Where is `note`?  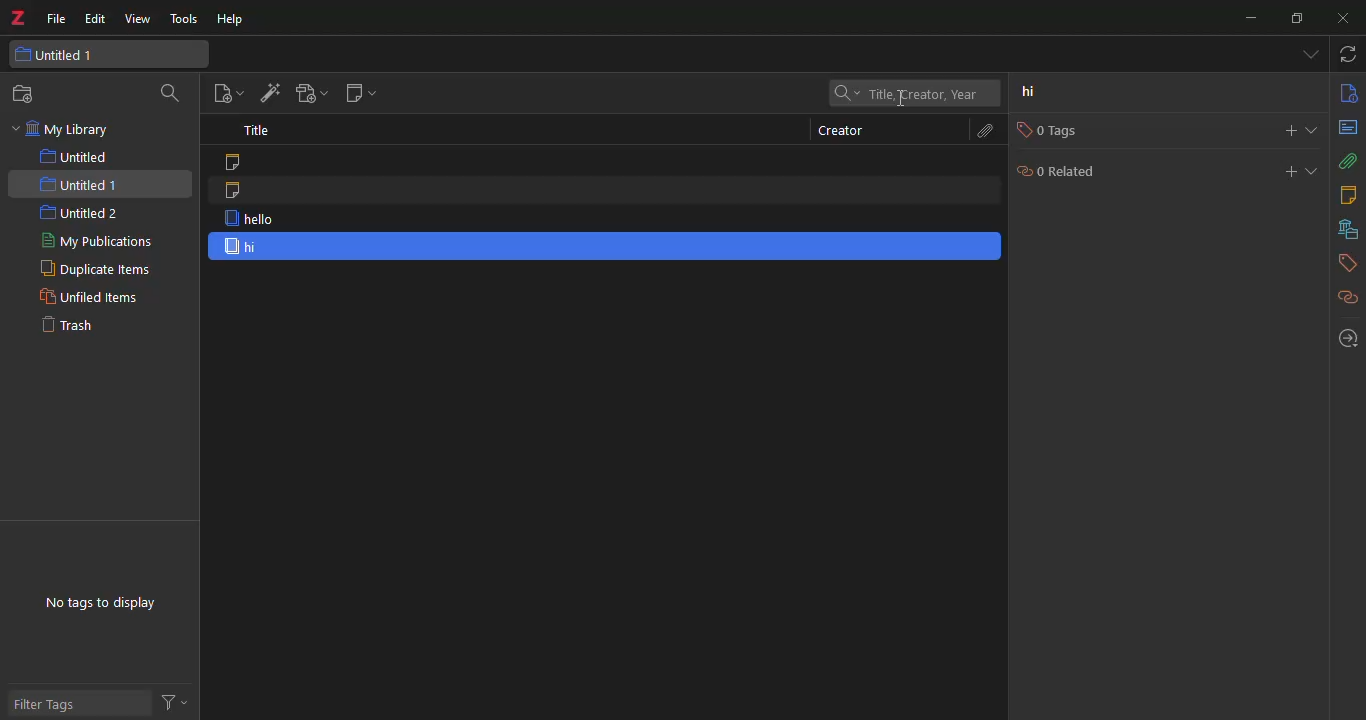 note is located at coordinates (242, 192).